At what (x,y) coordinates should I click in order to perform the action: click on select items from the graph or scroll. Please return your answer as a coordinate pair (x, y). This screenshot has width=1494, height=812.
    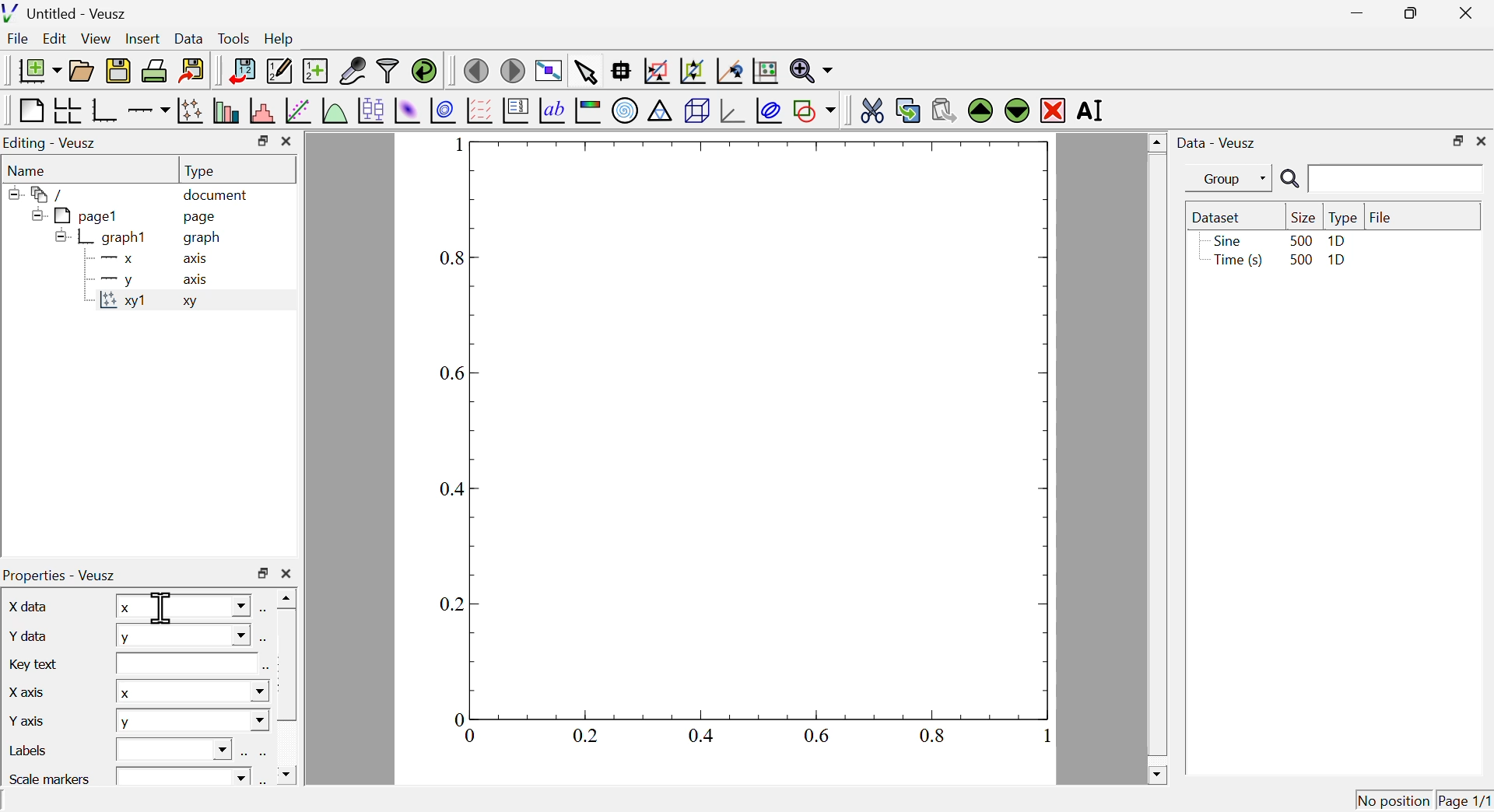
    Looking at the image, I should click on (585, 71).